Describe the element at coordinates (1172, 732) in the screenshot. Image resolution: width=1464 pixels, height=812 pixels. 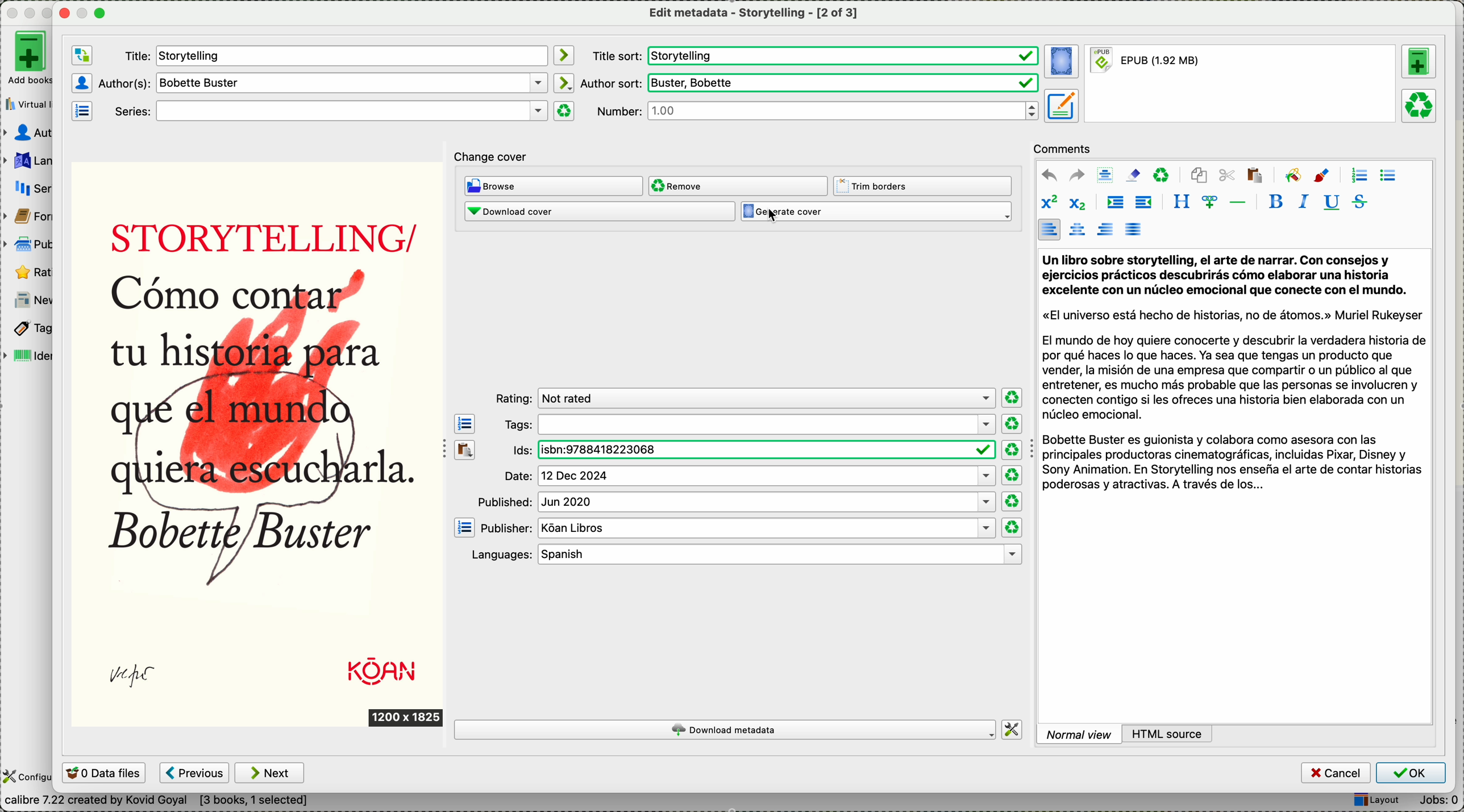
I see `HTML source` at that location.